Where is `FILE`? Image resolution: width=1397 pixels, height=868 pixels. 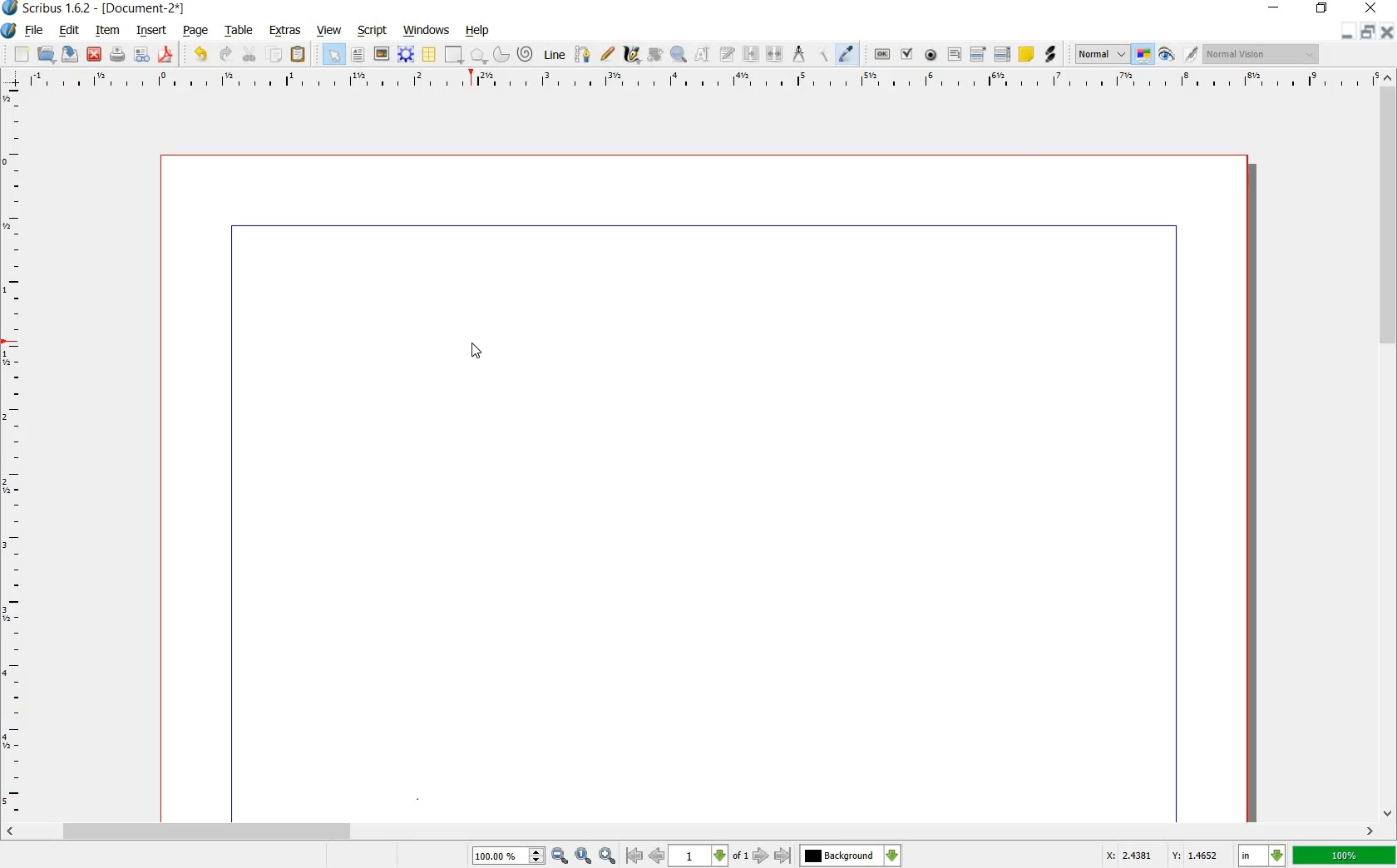 FILE is located at coordinates (34, 32).